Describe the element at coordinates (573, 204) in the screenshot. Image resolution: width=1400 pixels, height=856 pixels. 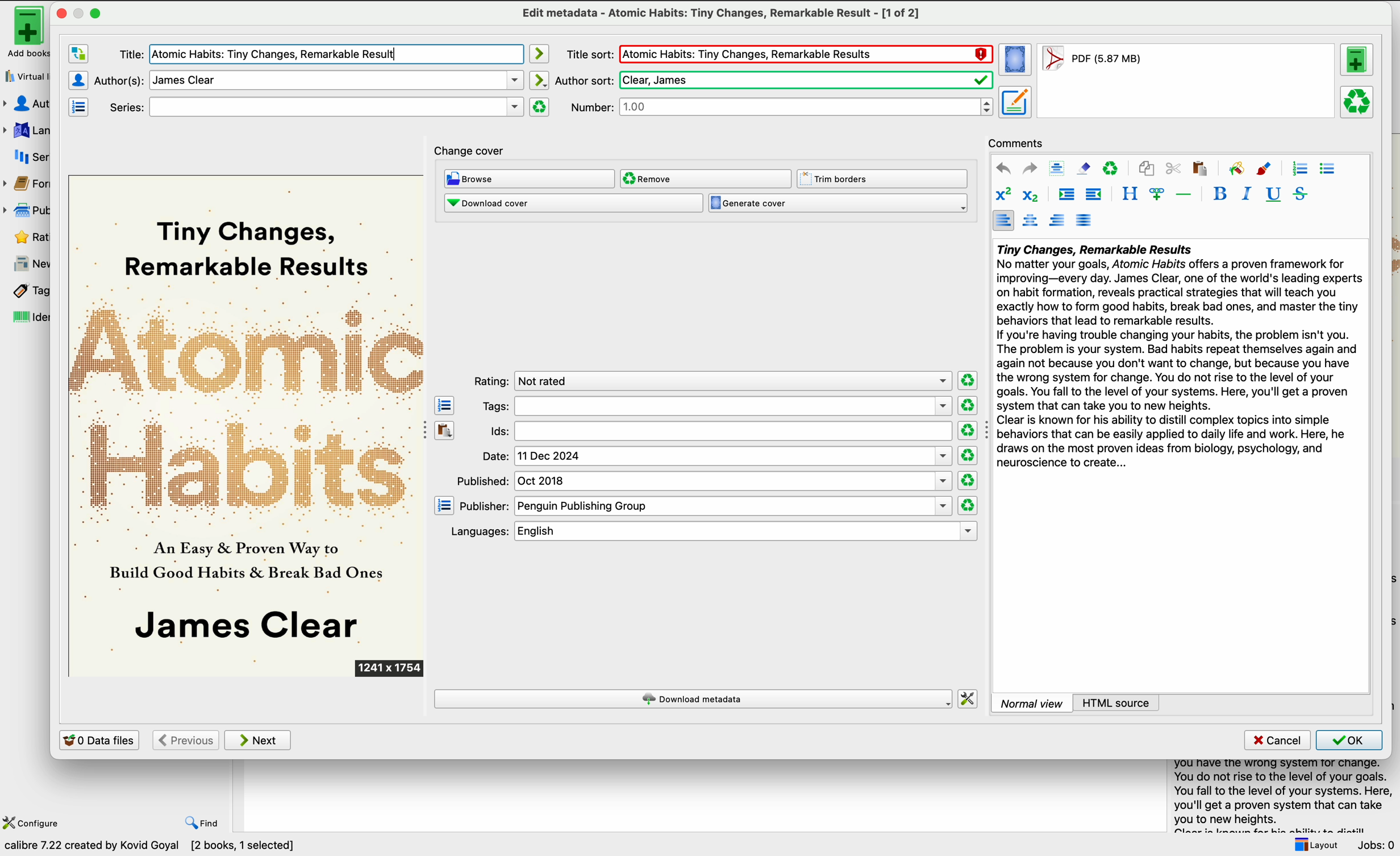
I see `download cover` at that location.